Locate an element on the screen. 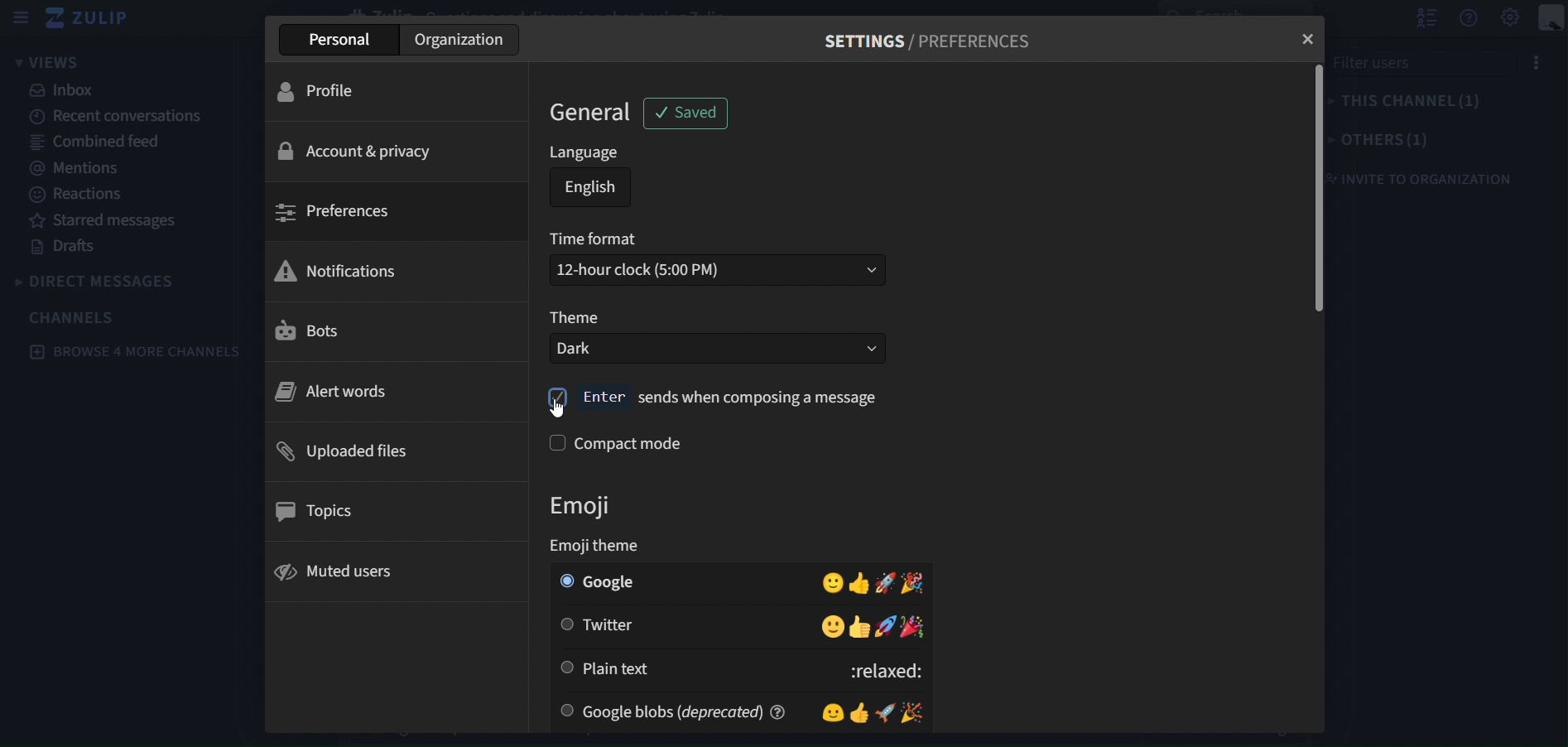 This screenshot has width=1568, height=747. Close is located at coordinates (1300, 43).